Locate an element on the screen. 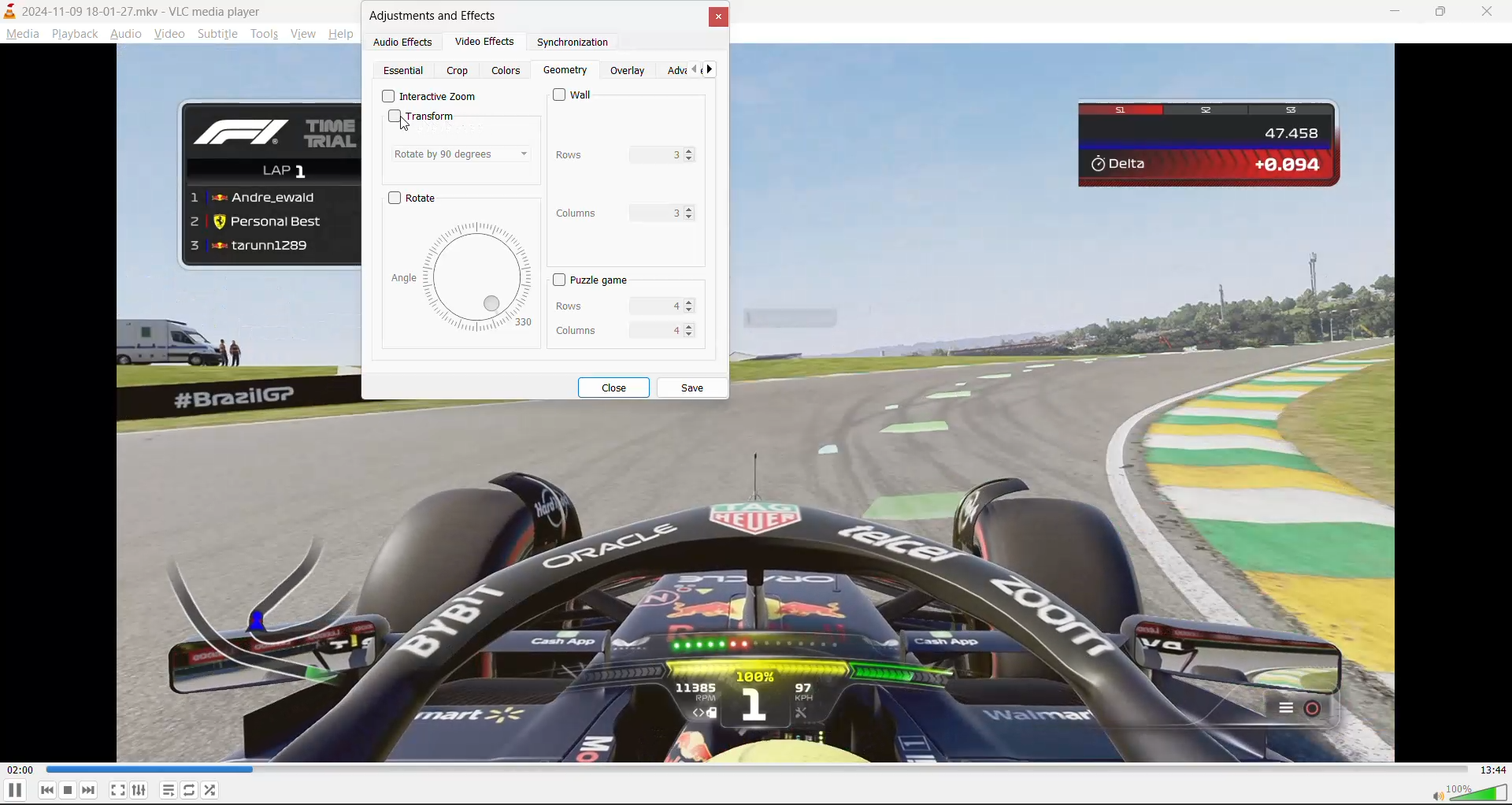 The width and height of the screenshot is (1512, 805). pause is located at coordinates (14, 792).